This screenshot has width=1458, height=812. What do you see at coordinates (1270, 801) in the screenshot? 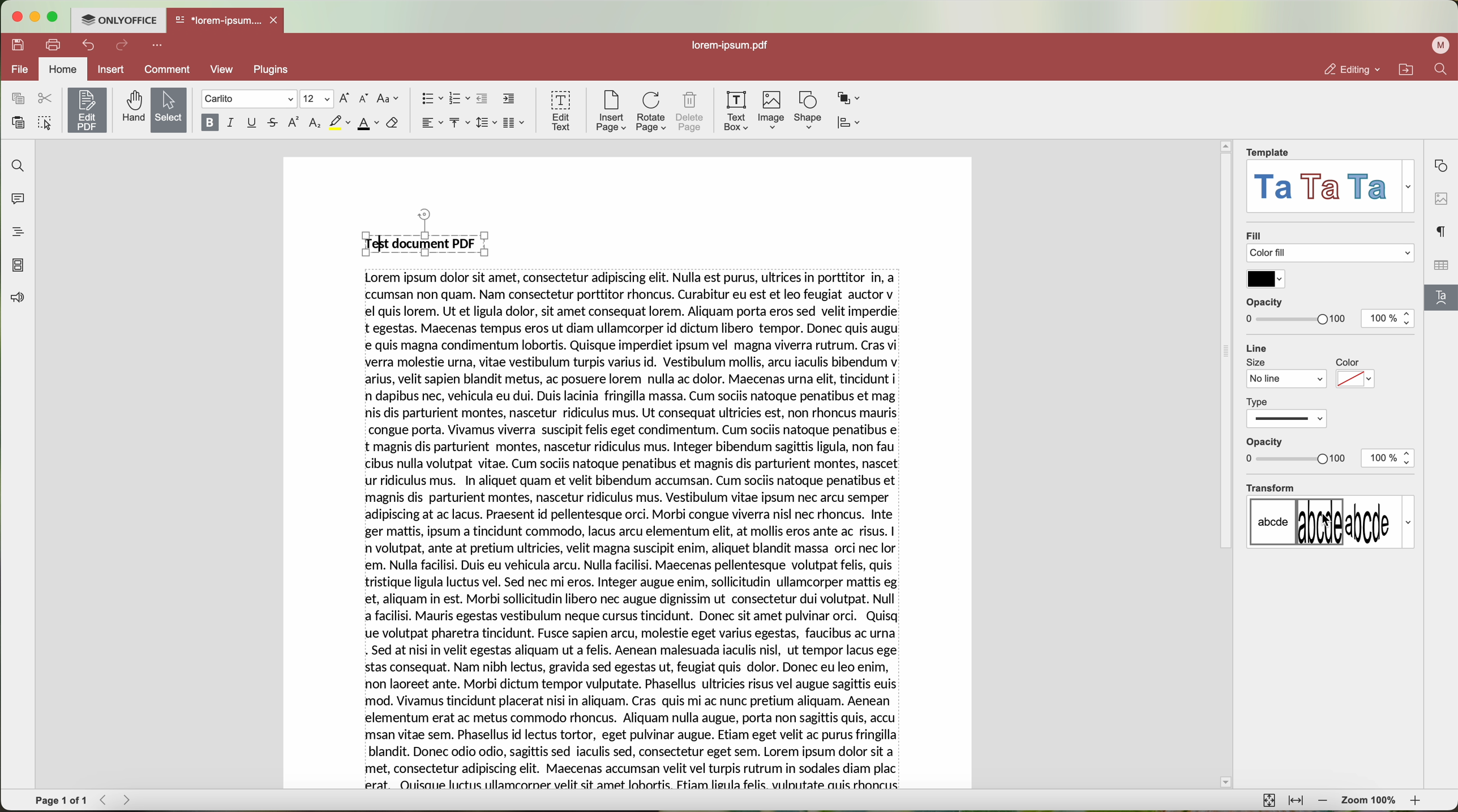
I see `fit to page` at bounding box center [1270, 801].